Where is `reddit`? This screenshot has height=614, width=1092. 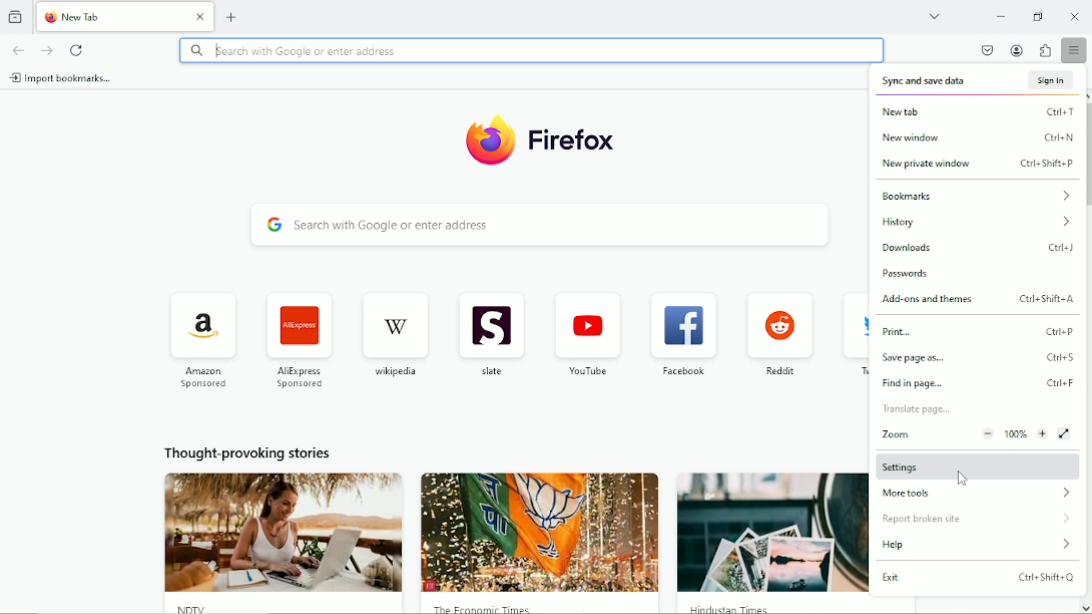
reddit is located at coordinates (780, 371).